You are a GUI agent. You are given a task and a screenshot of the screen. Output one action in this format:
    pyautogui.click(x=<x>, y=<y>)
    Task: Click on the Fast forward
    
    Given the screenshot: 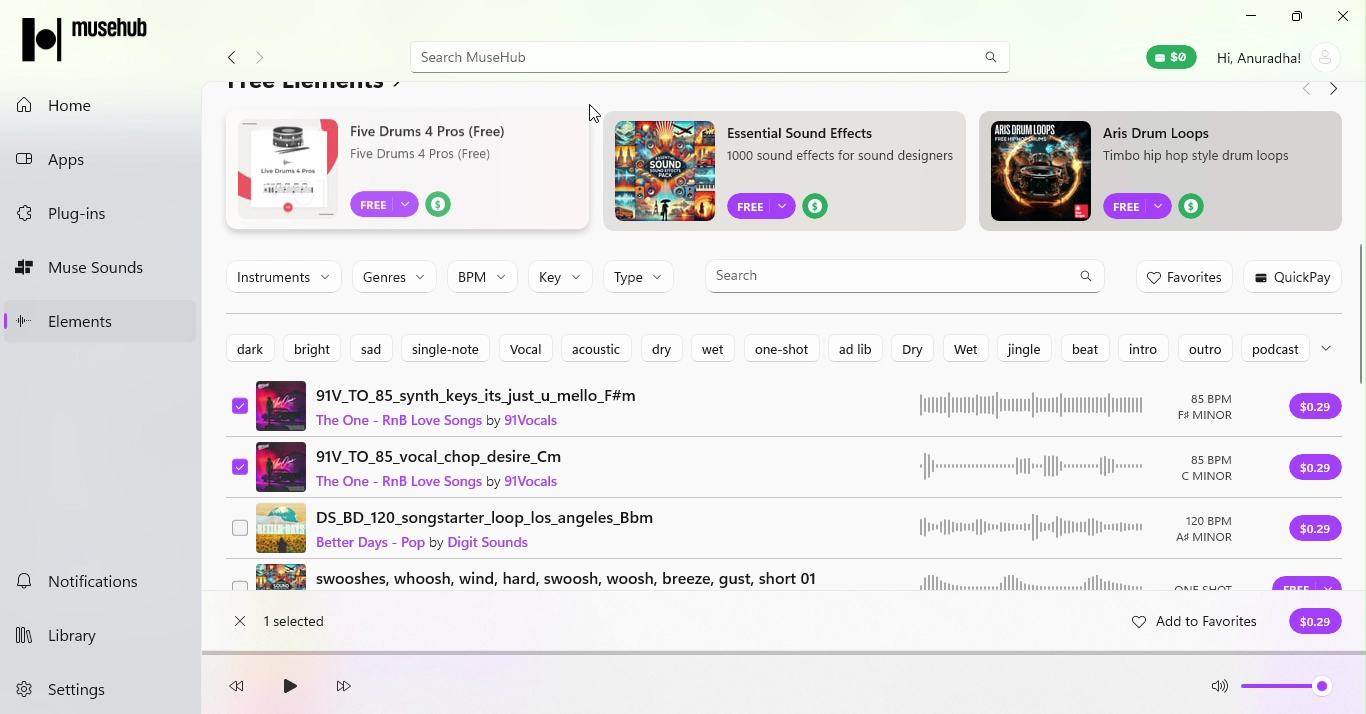 What is the action you would take?
    pyautogui.click(x=344, y=688)
    